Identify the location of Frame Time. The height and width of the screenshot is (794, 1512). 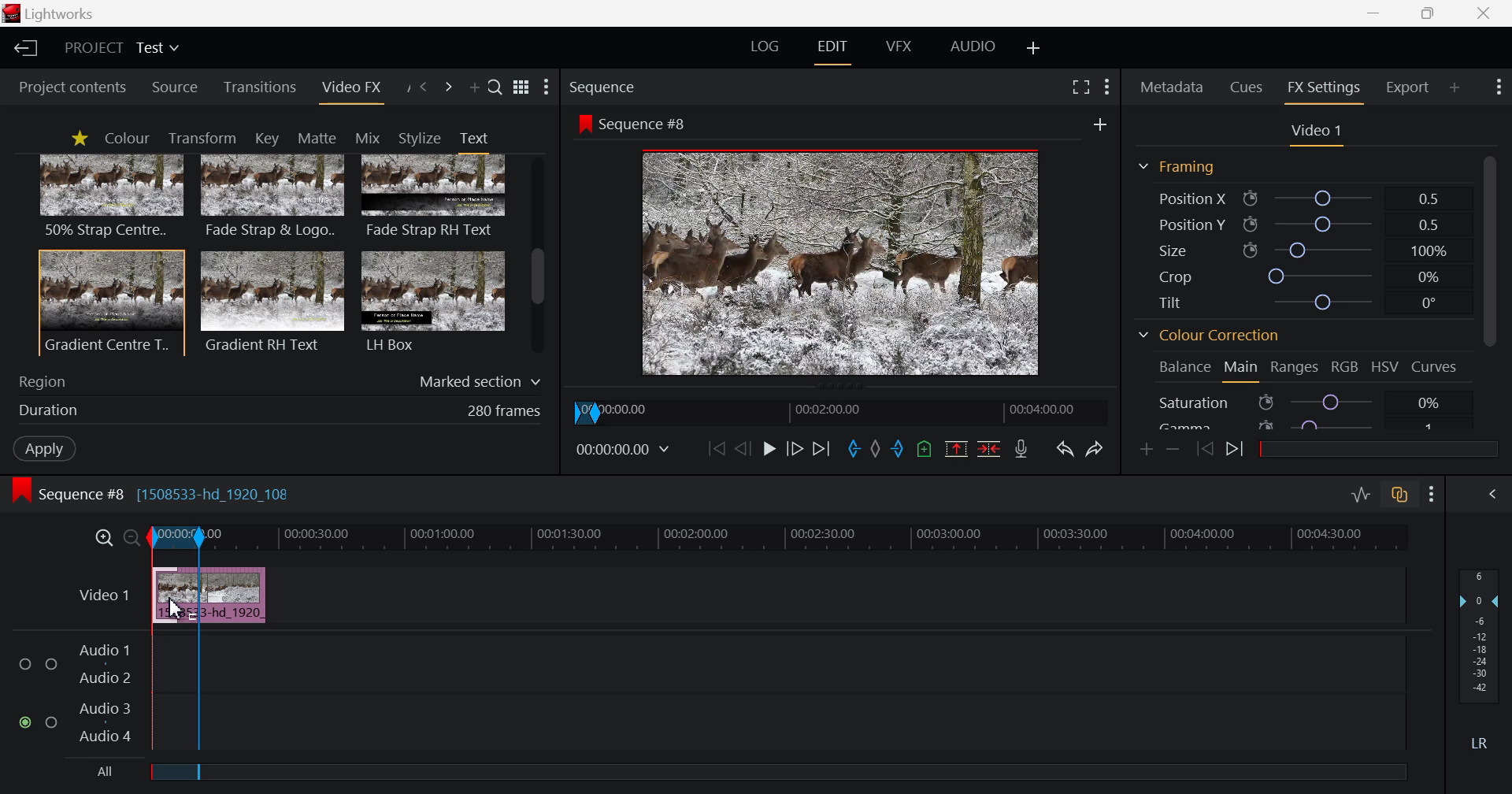
(627, 450).